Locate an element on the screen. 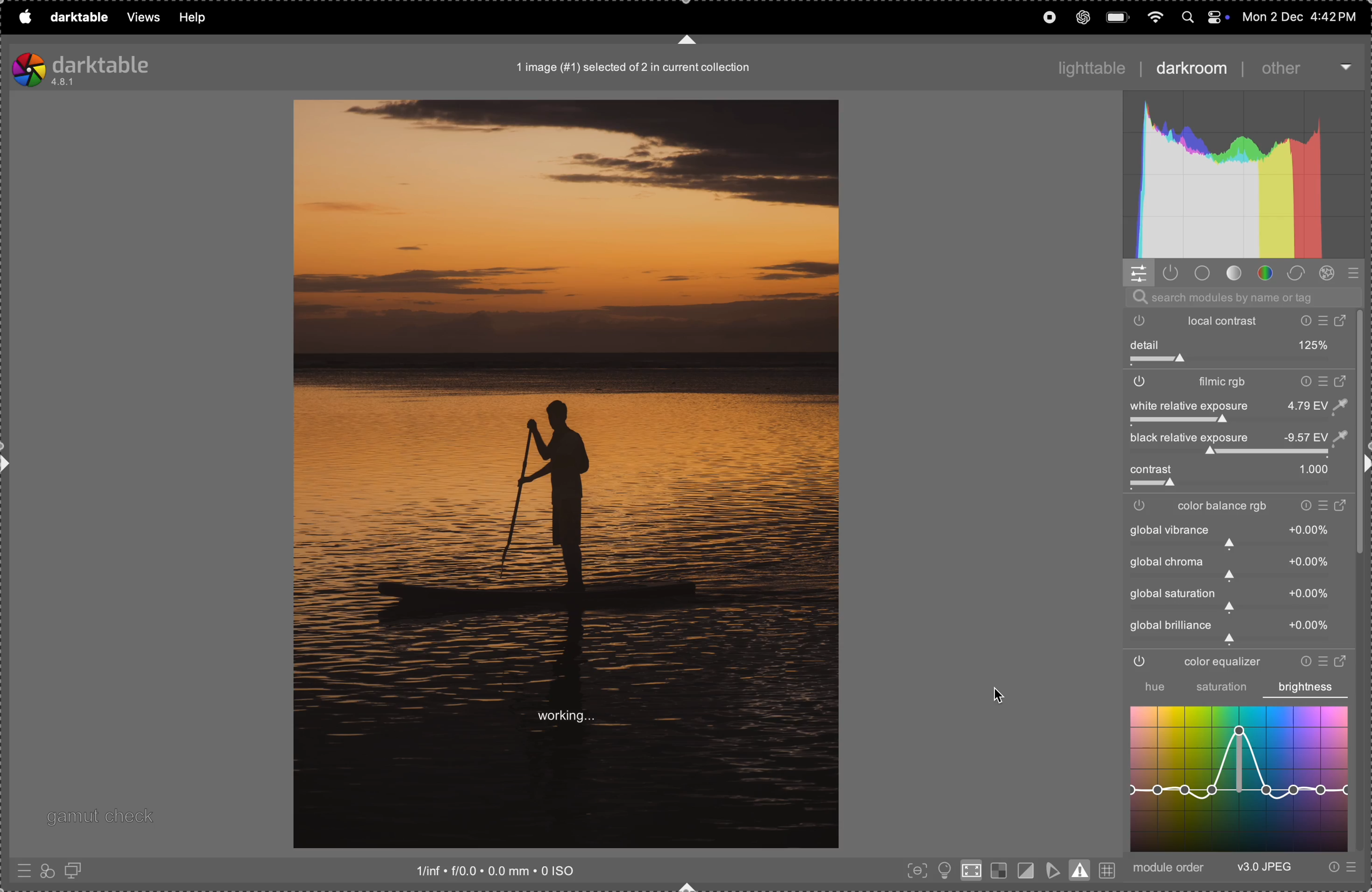 Image resolution: width=1372 pixels, height=892 pixels. color is located at coordinates (1266, 274).